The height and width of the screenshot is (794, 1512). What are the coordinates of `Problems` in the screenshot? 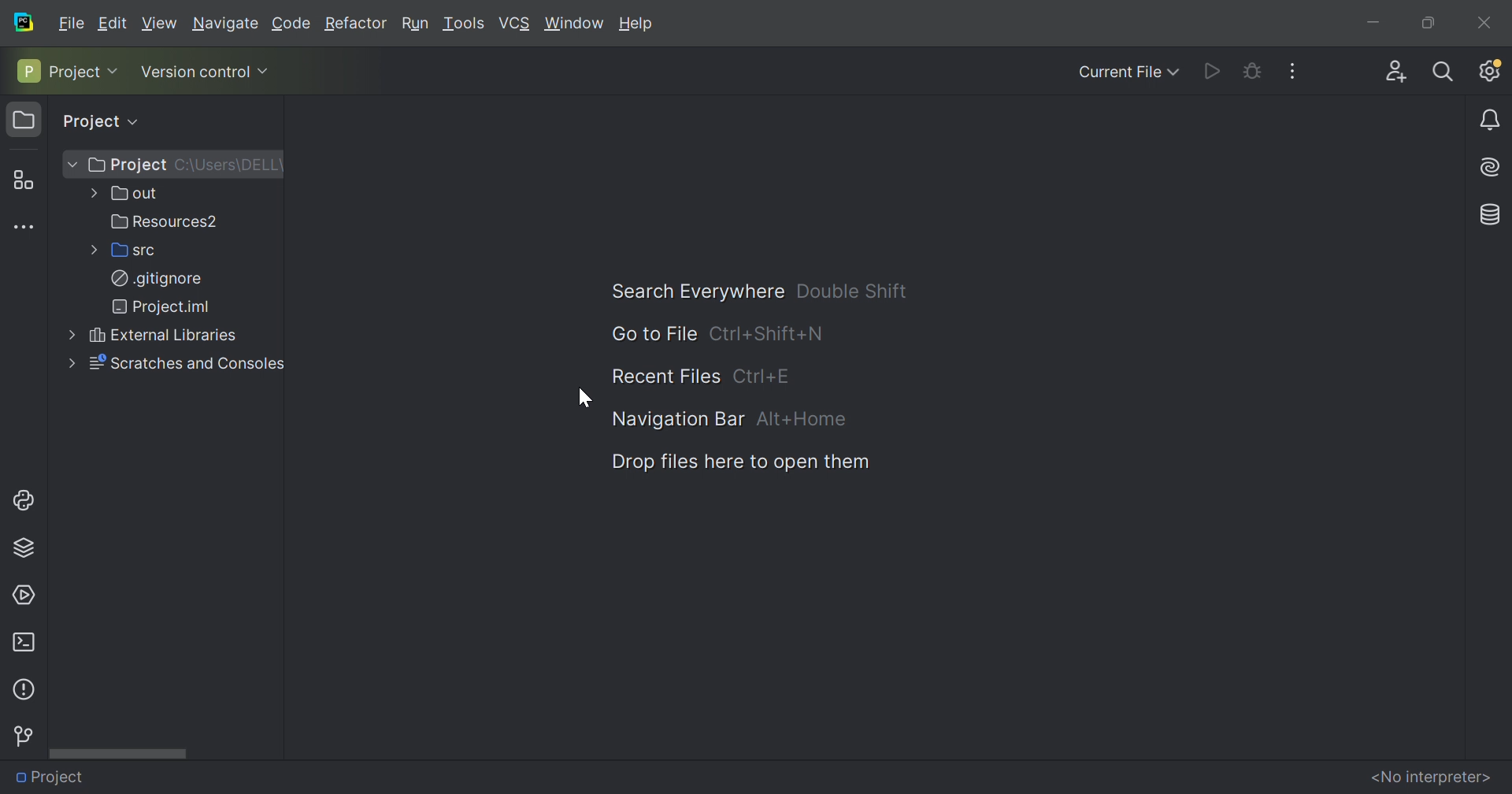 It's located at (22, 688).